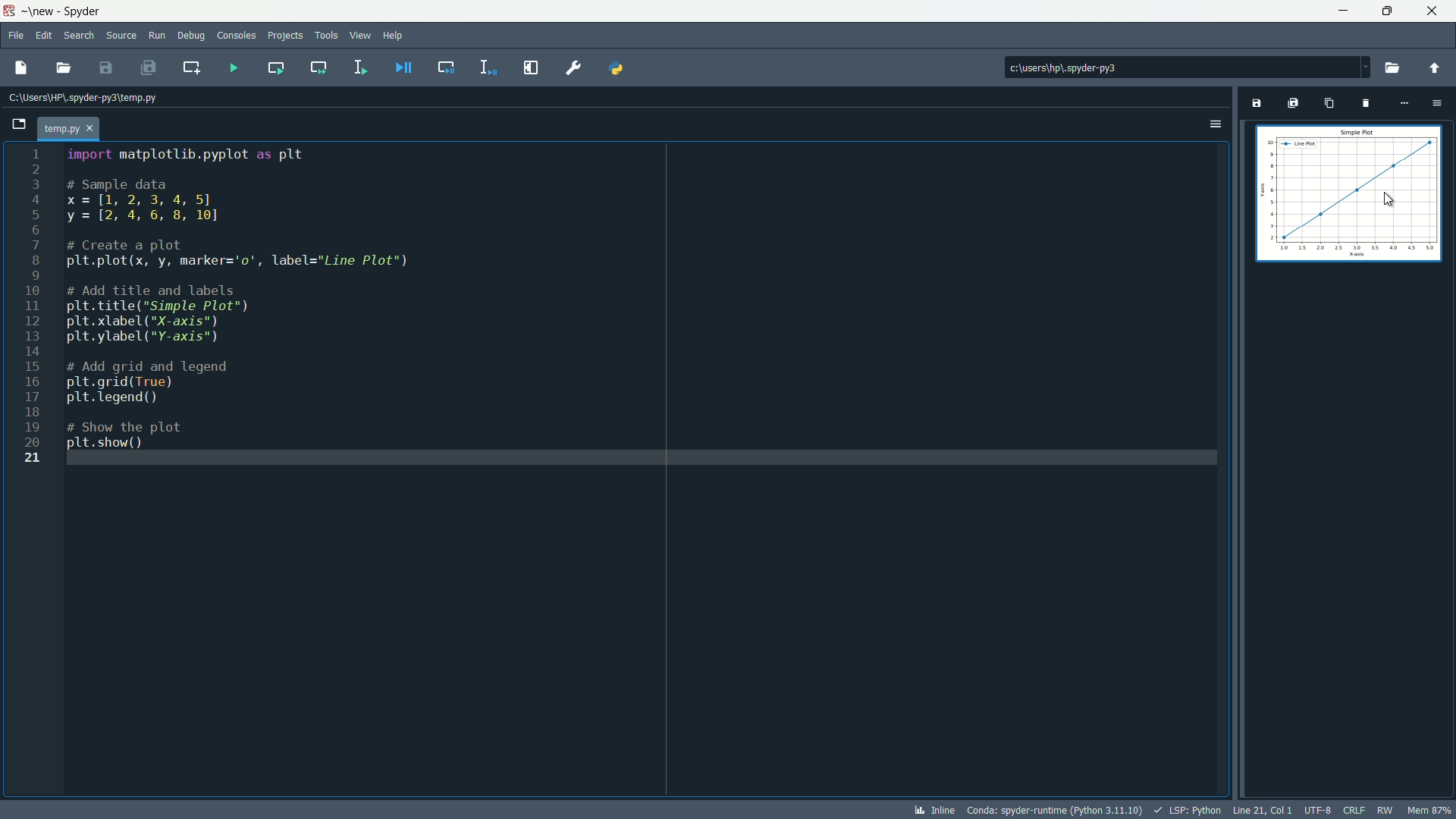 This screenshot has width=1456, height=819. Describe the element at coordinates (316, 68) in the screenshot. I see `run current cell and go to the next one` at that location.